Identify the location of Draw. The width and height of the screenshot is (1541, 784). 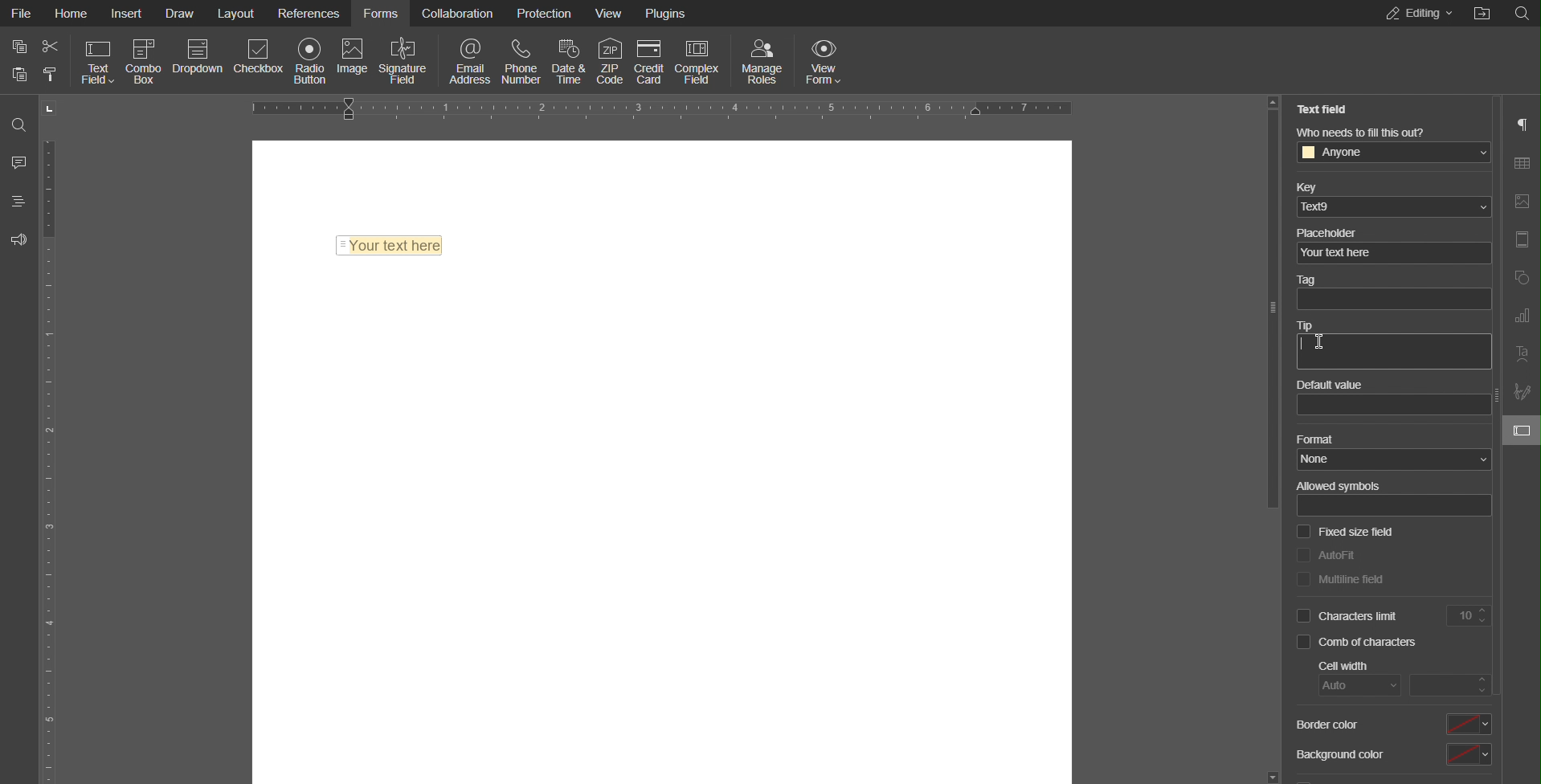
(180, 14).